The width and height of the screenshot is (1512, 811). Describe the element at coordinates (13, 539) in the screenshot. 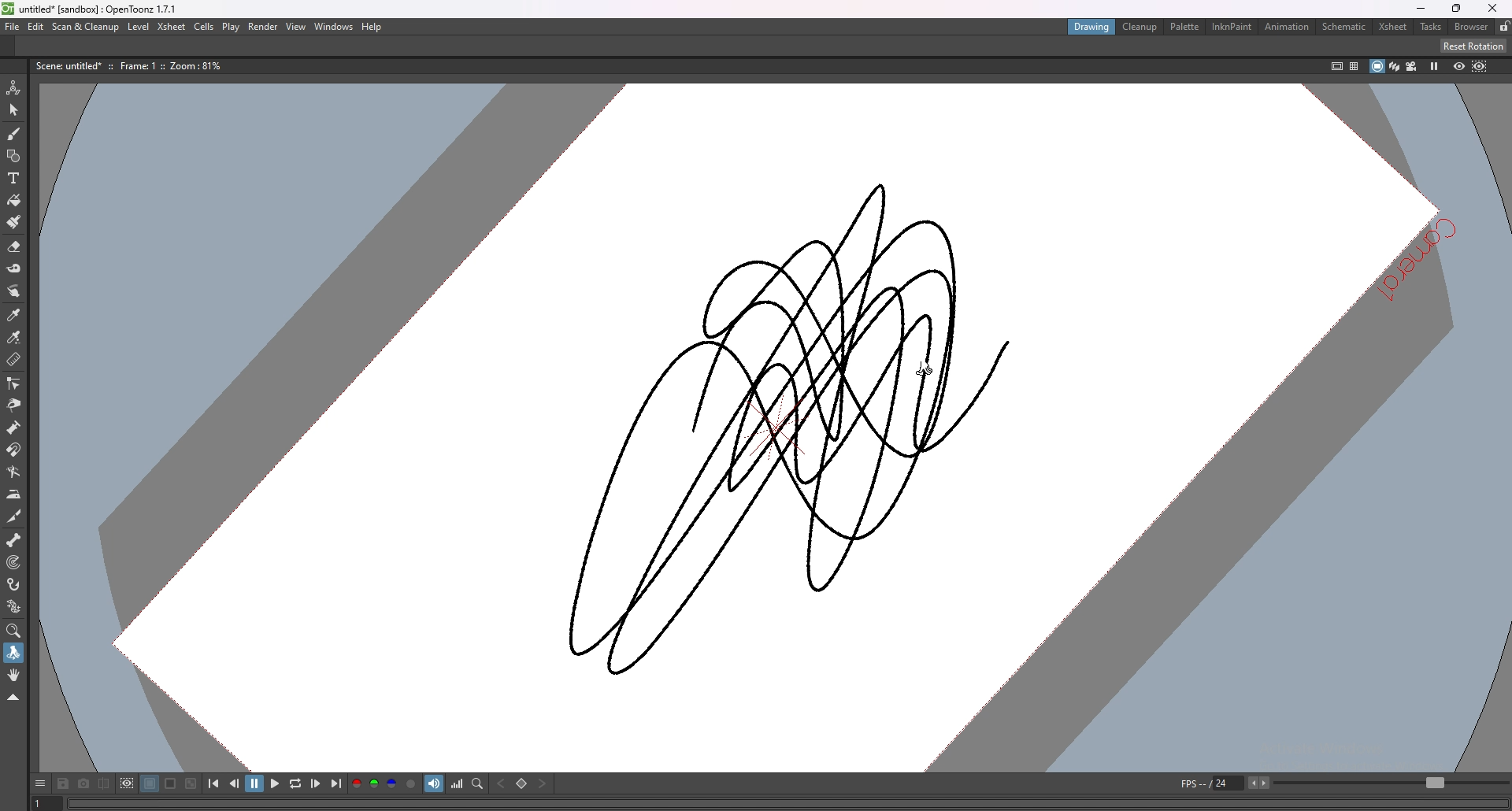

I see `skeleton` at that location.